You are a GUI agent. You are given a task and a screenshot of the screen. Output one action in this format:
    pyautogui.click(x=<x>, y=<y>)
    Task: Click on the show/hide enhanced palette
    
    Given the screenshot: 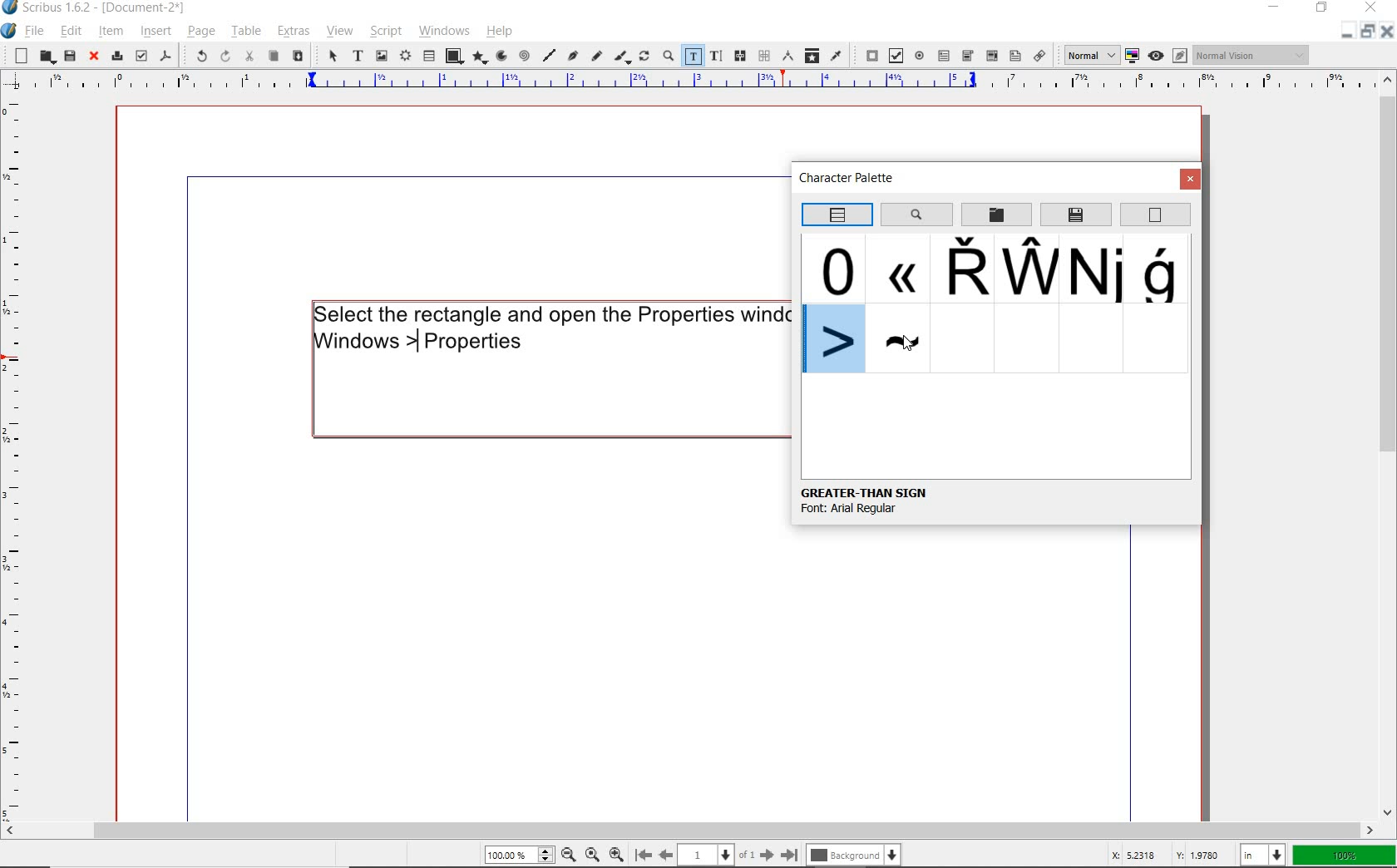 What is the action you would take?
    pyautogui.click(x=836, y=215)
    